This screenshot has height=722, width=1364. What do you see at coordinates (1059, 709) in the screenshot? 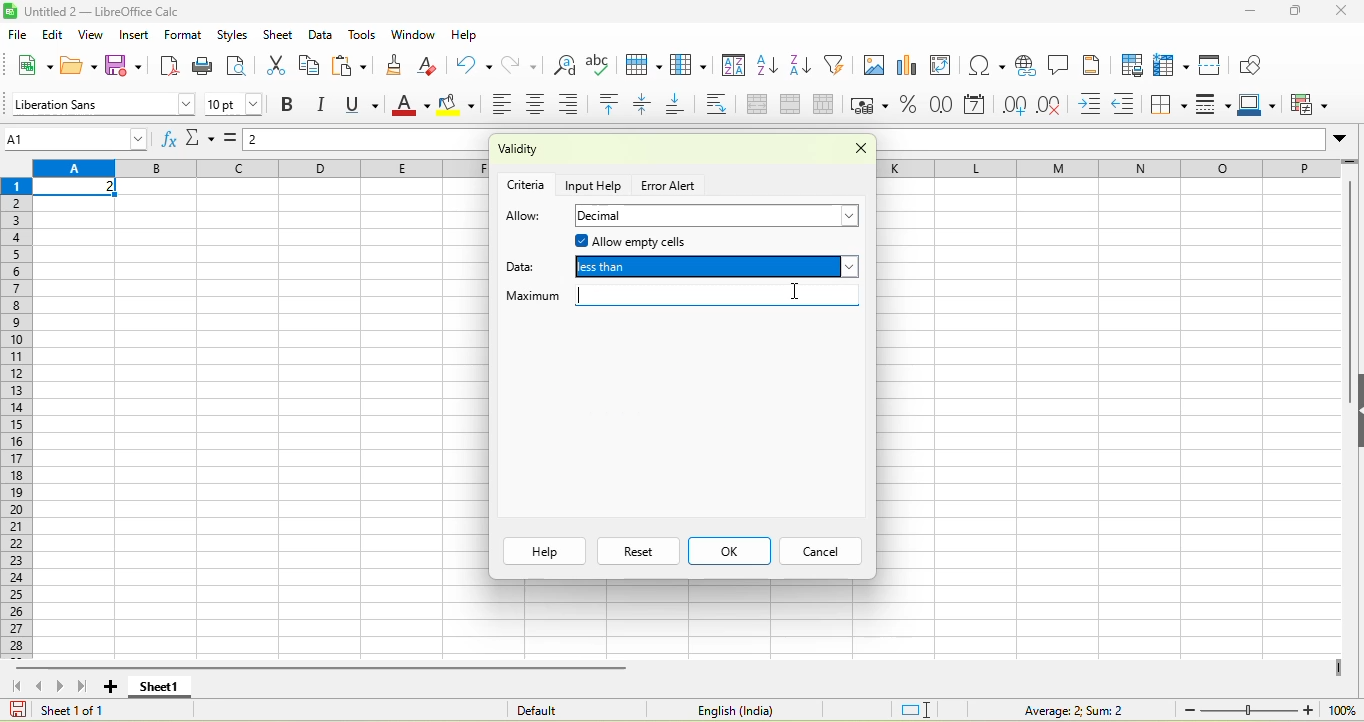
I see `formula` at bounding box center [1059, 709].